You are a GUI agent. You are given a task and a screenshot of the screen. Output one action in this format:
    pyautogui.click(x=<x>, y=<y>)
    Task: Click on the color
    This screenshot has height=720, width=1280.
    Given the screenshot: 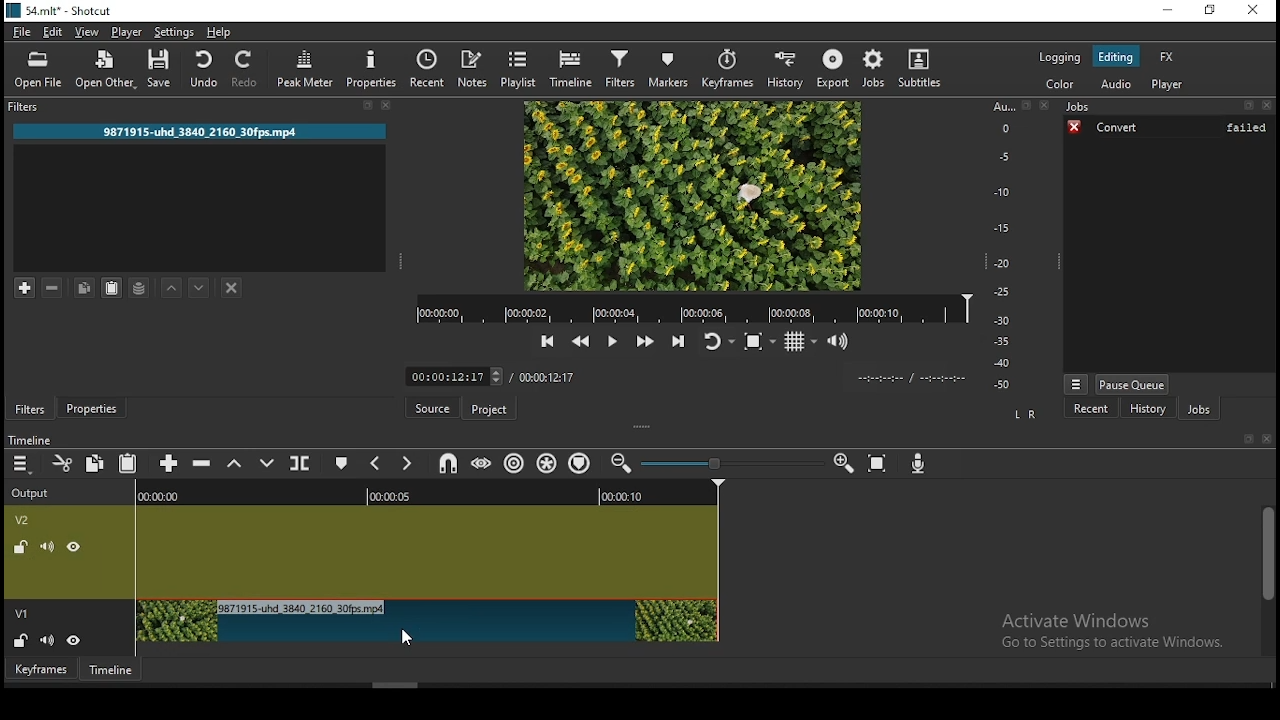 What is the action you would take?
    pyautogui.click(x=1063, y=86)
    